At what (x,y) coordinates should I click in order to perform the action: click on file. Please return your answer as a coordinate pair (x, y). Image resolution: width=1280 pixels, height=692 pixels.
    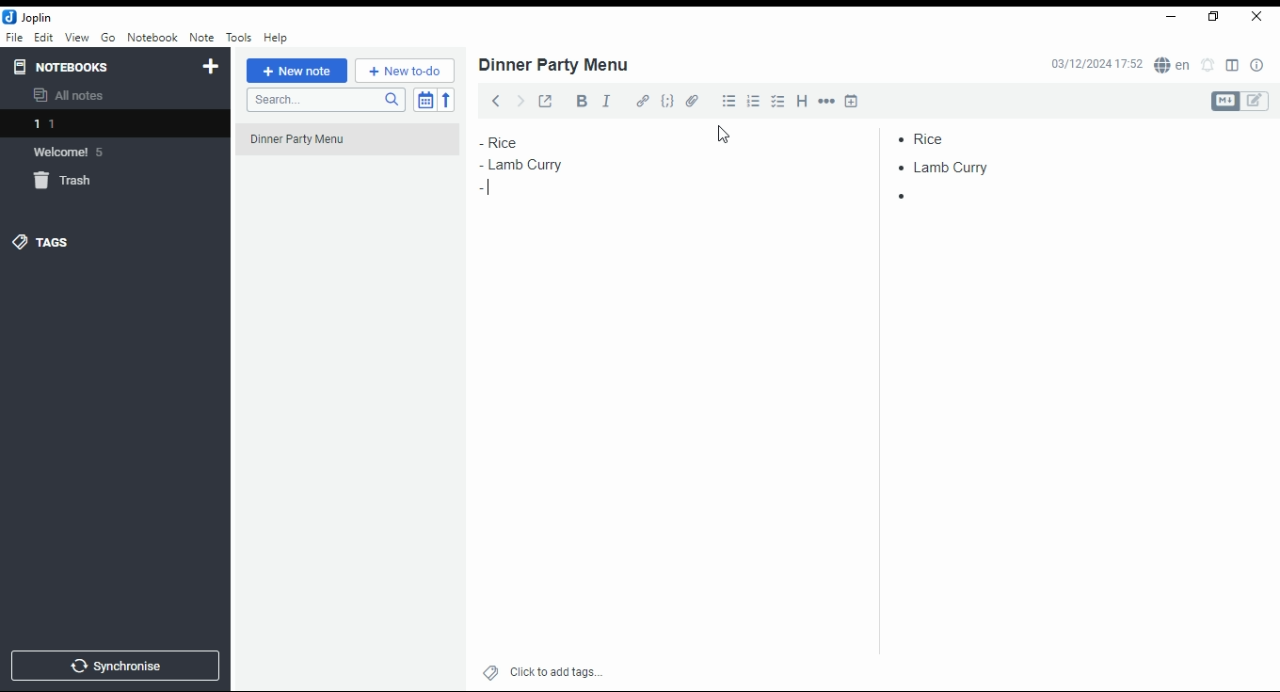
    Looking at the image, I should click on (14, 37).